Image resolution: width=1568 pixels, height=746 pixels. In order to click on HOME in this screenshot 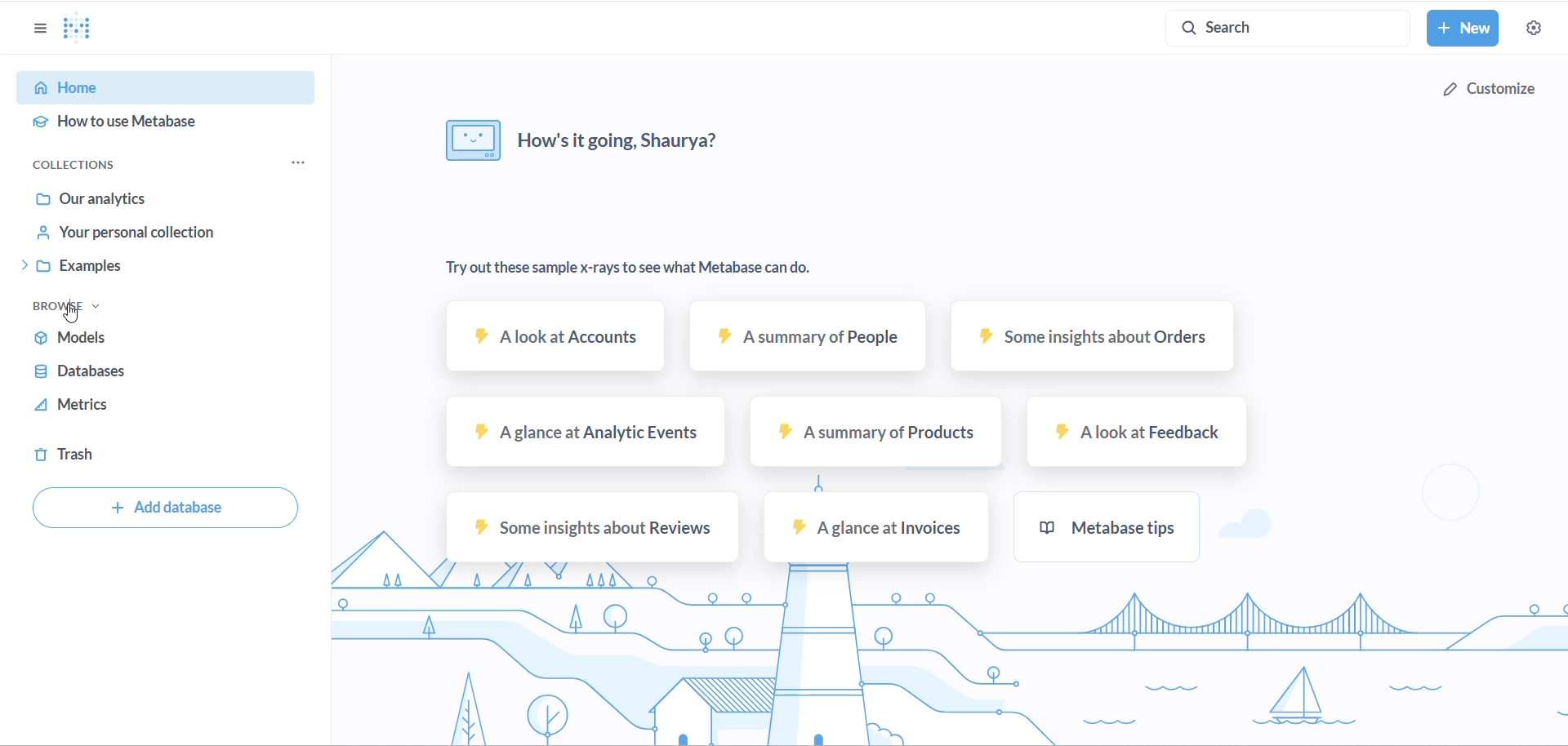, I will do `click(159, 90)`.